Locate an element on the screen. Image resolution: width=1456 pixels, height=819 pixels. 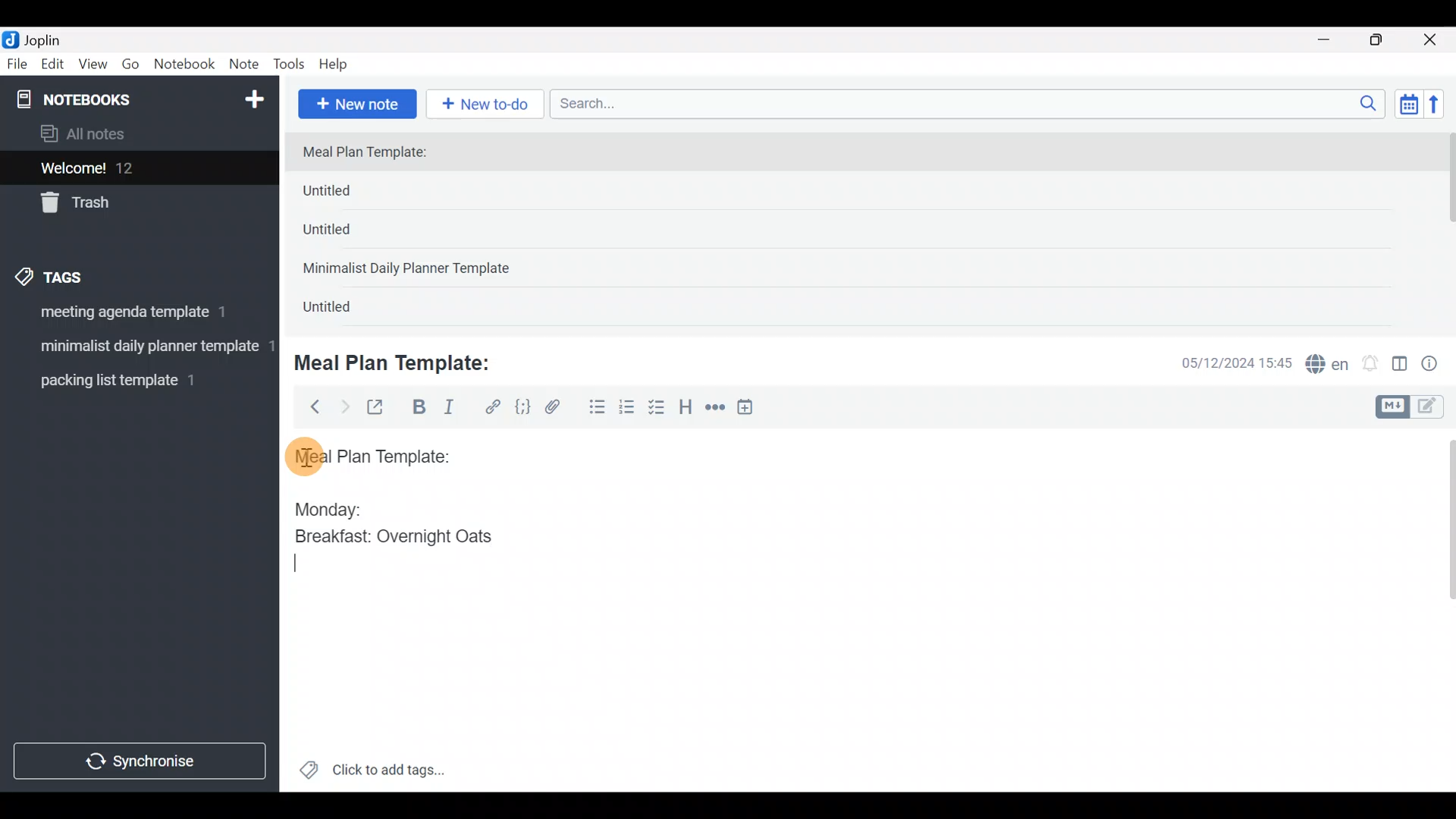
Note properties is located at coordinates (1436, 365).